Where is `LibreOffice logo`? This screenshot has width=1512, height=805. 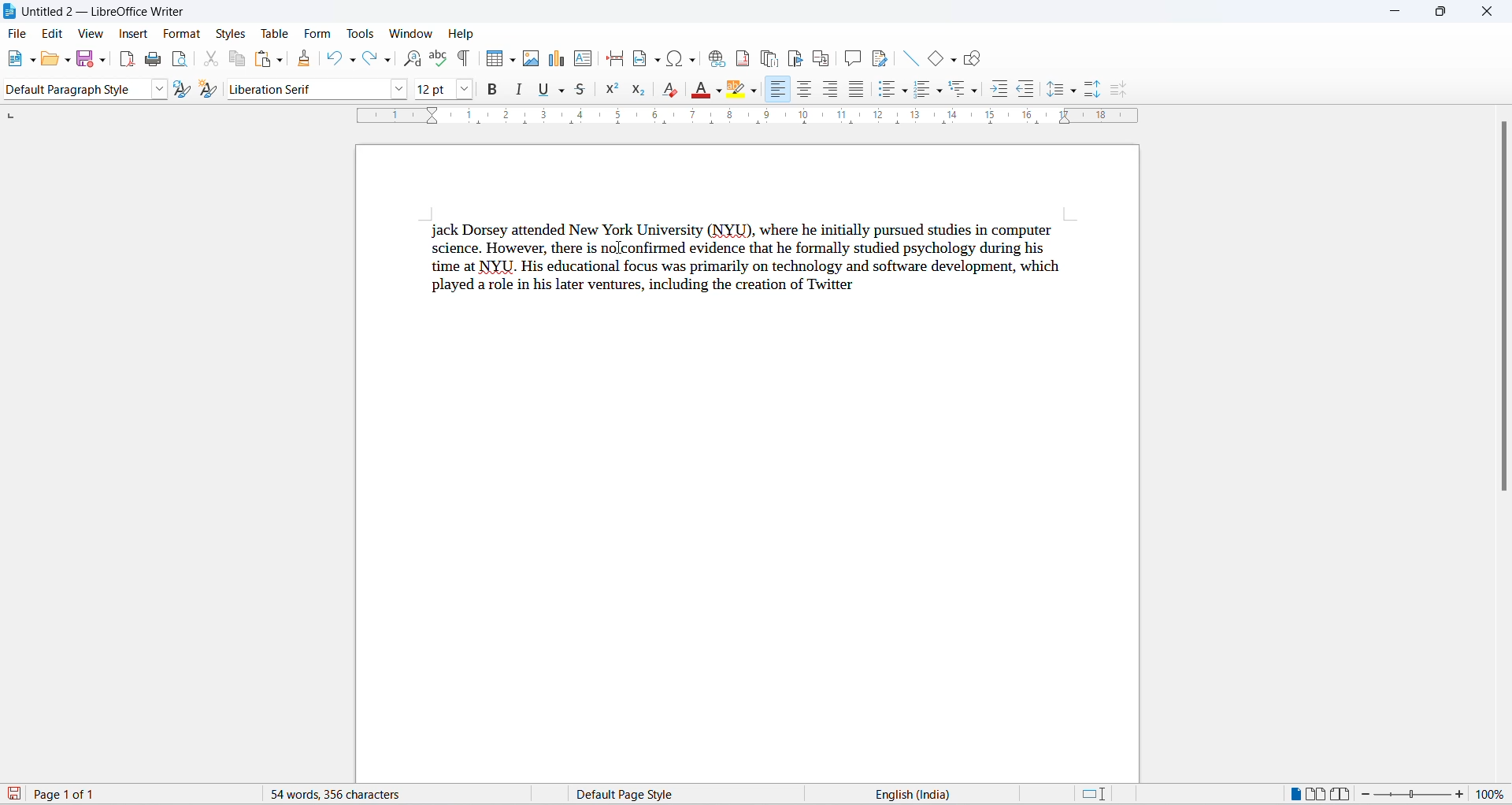 LibreOffice logo is located at coordinates (105, 12).